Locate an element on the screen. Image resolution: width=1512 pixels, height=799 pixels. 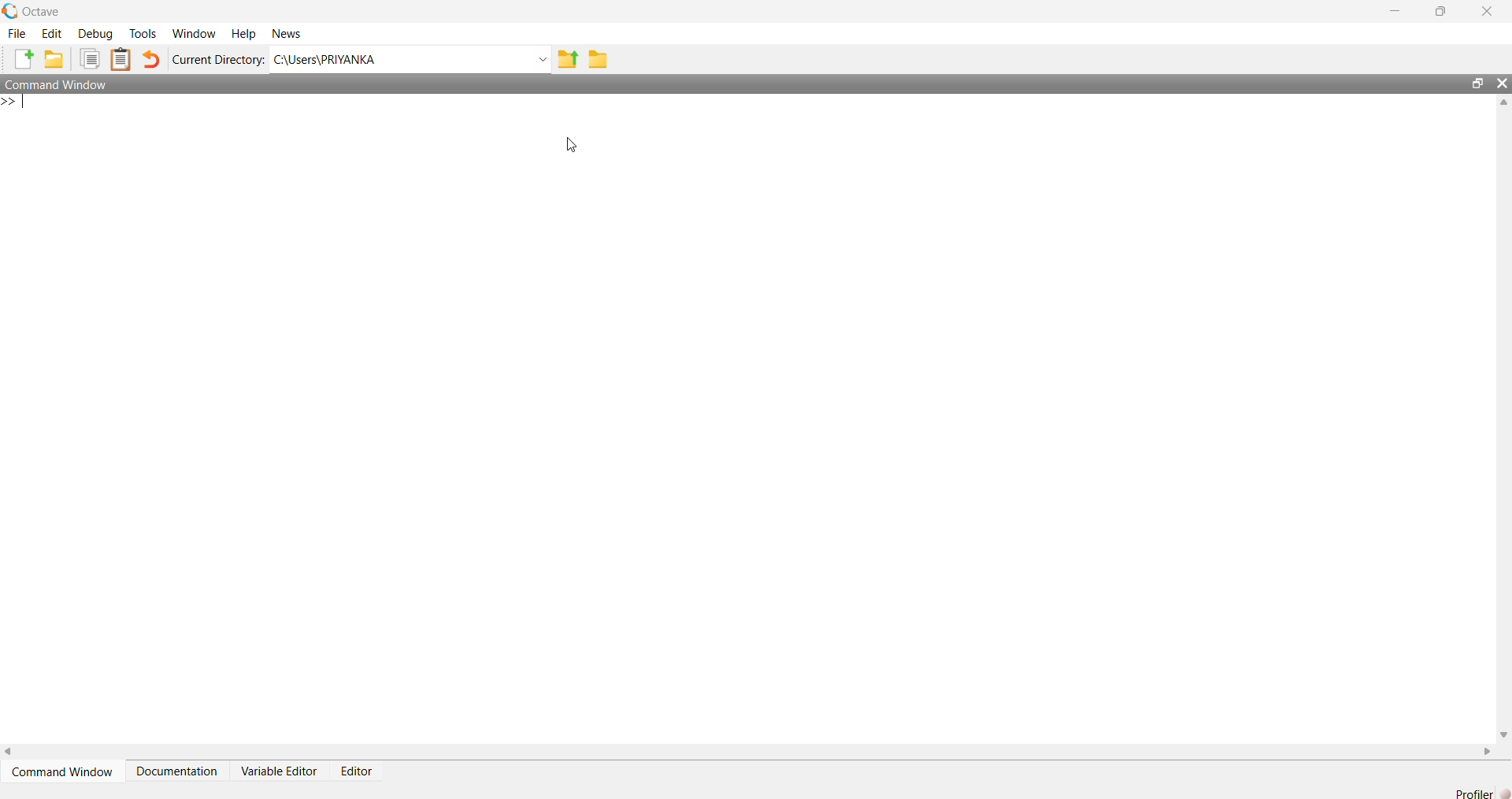
News is located at coordinates (288, 32).